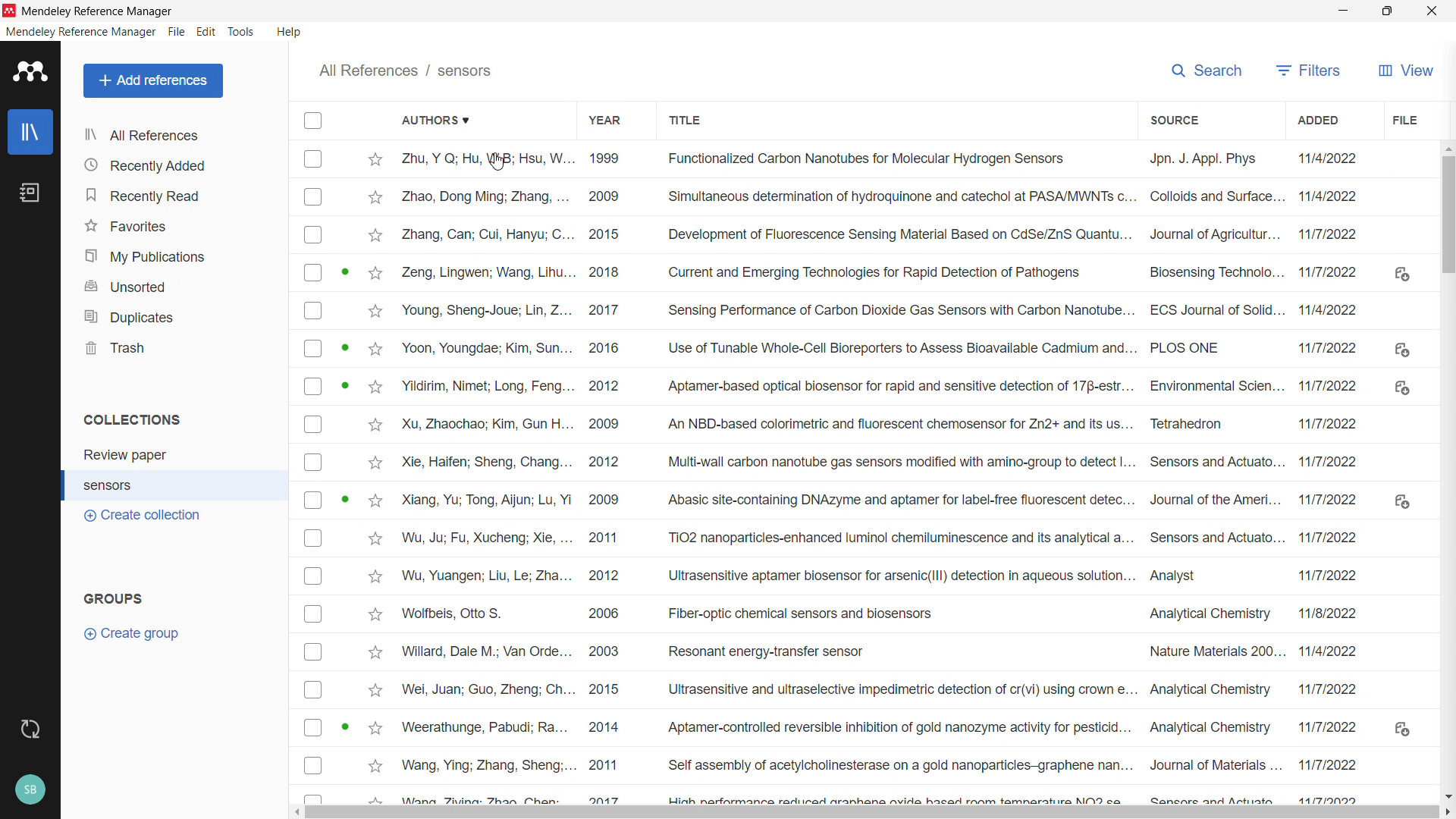  What do you see at coordinates (346, 385) in the screenshot?
I see `PDF available` at bounding box center [346, 385].